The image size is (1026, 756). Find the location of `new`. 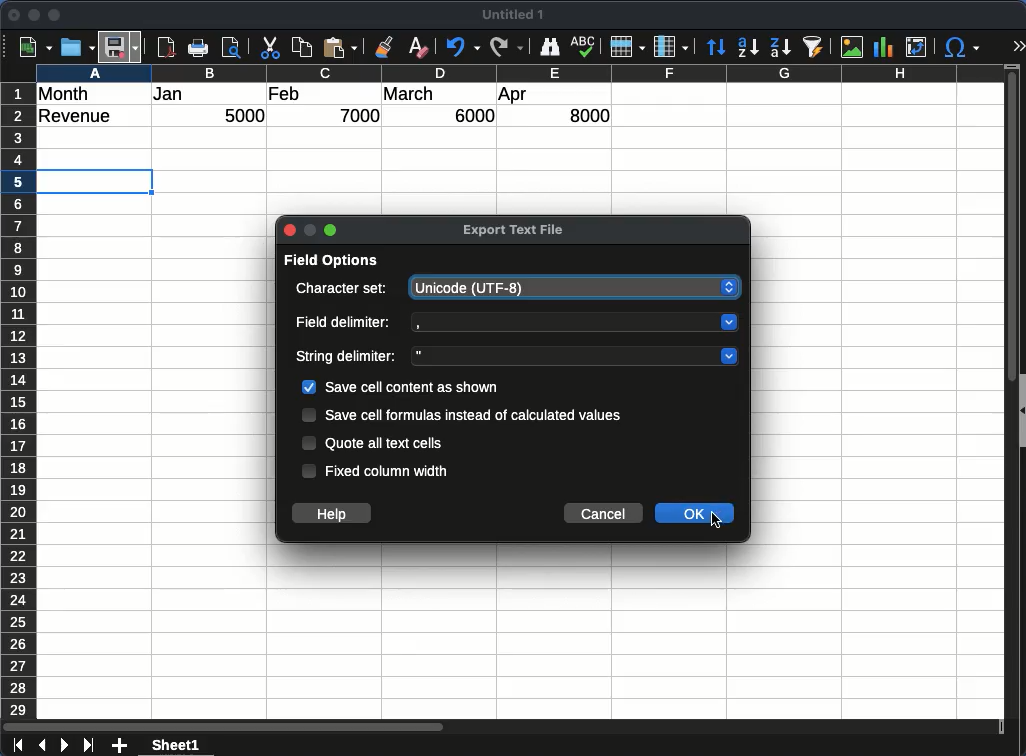

new is located at coordinates (33, 47).